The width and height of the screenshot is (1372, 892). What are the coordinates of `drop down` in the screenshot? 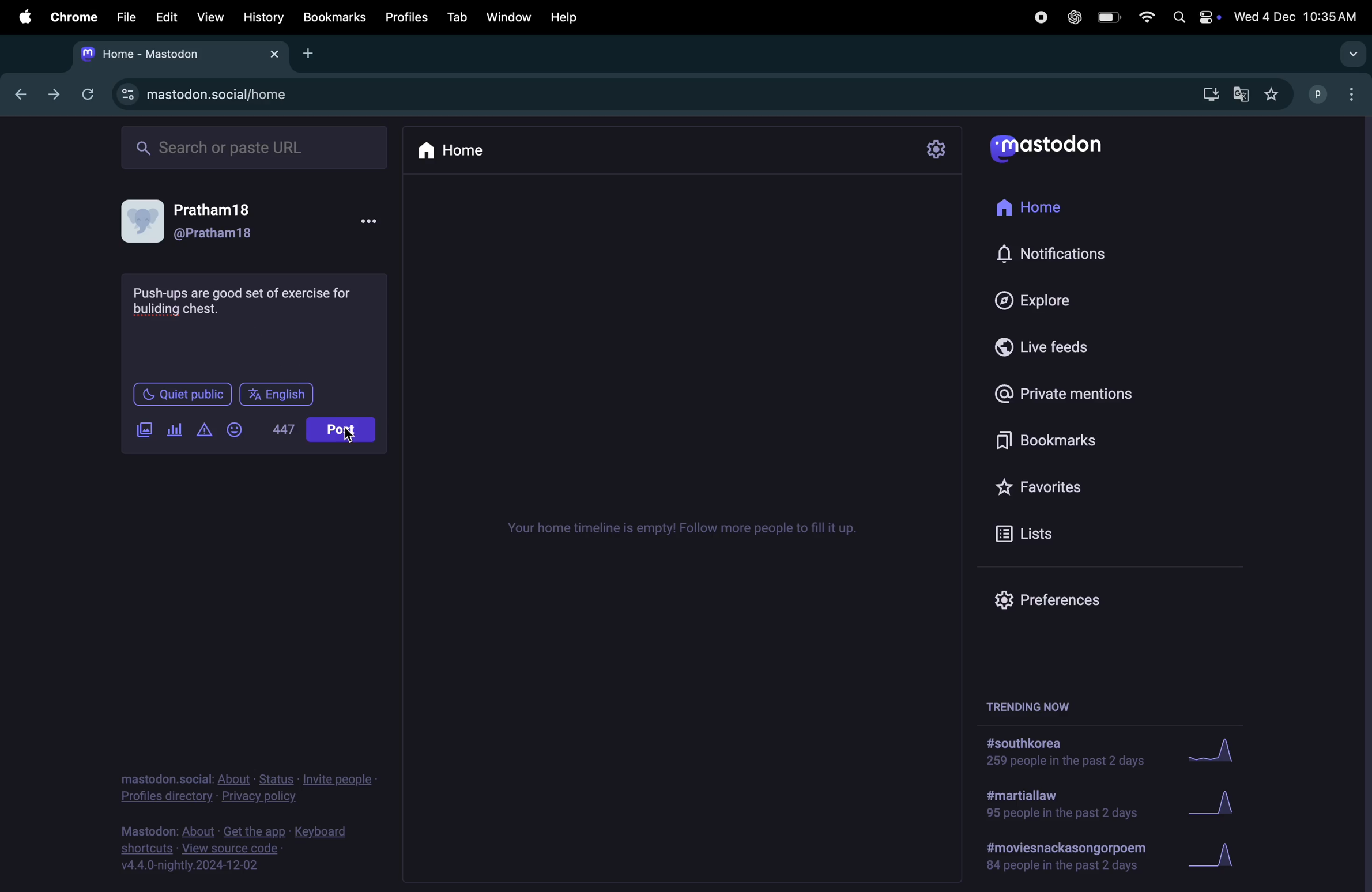 It's located at (1354, 55).